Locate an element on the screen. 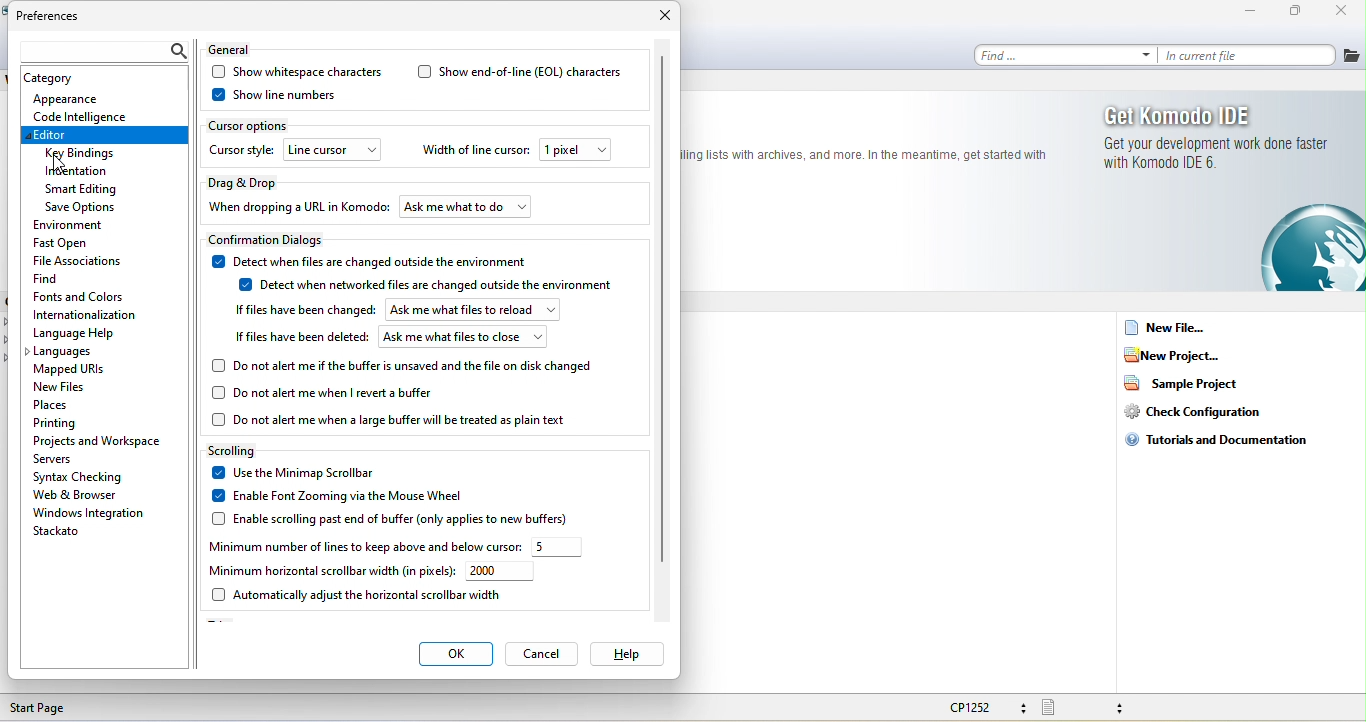 The height and width of the screenshot is (722, 1366). automatically adjust the horizontal scrollbar width is located at coordinates (356, 595).